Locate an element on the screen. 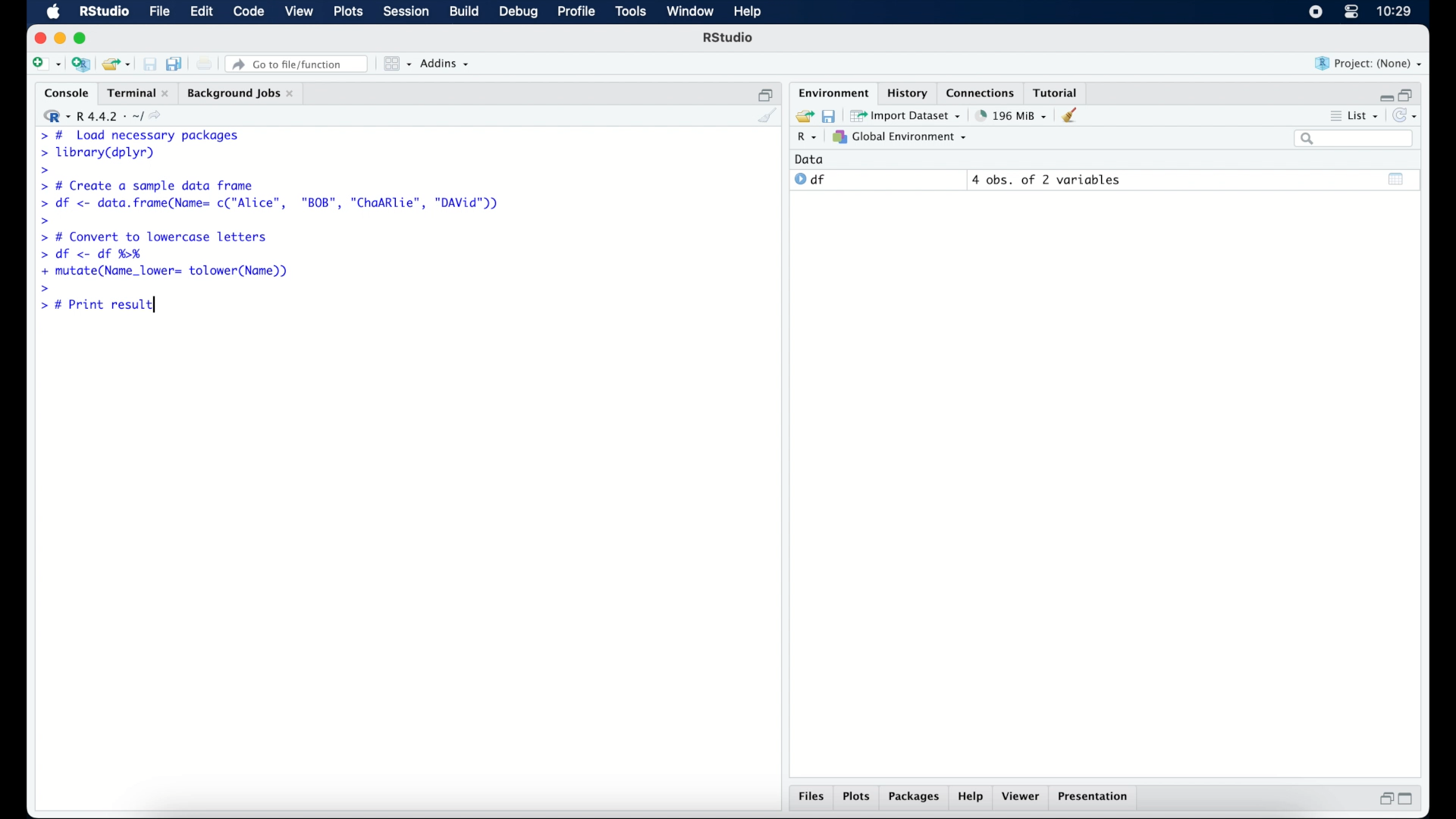 Image resolution: width=1456 pixels, height=819 pixels. plots is located at coordinates (350, 13).